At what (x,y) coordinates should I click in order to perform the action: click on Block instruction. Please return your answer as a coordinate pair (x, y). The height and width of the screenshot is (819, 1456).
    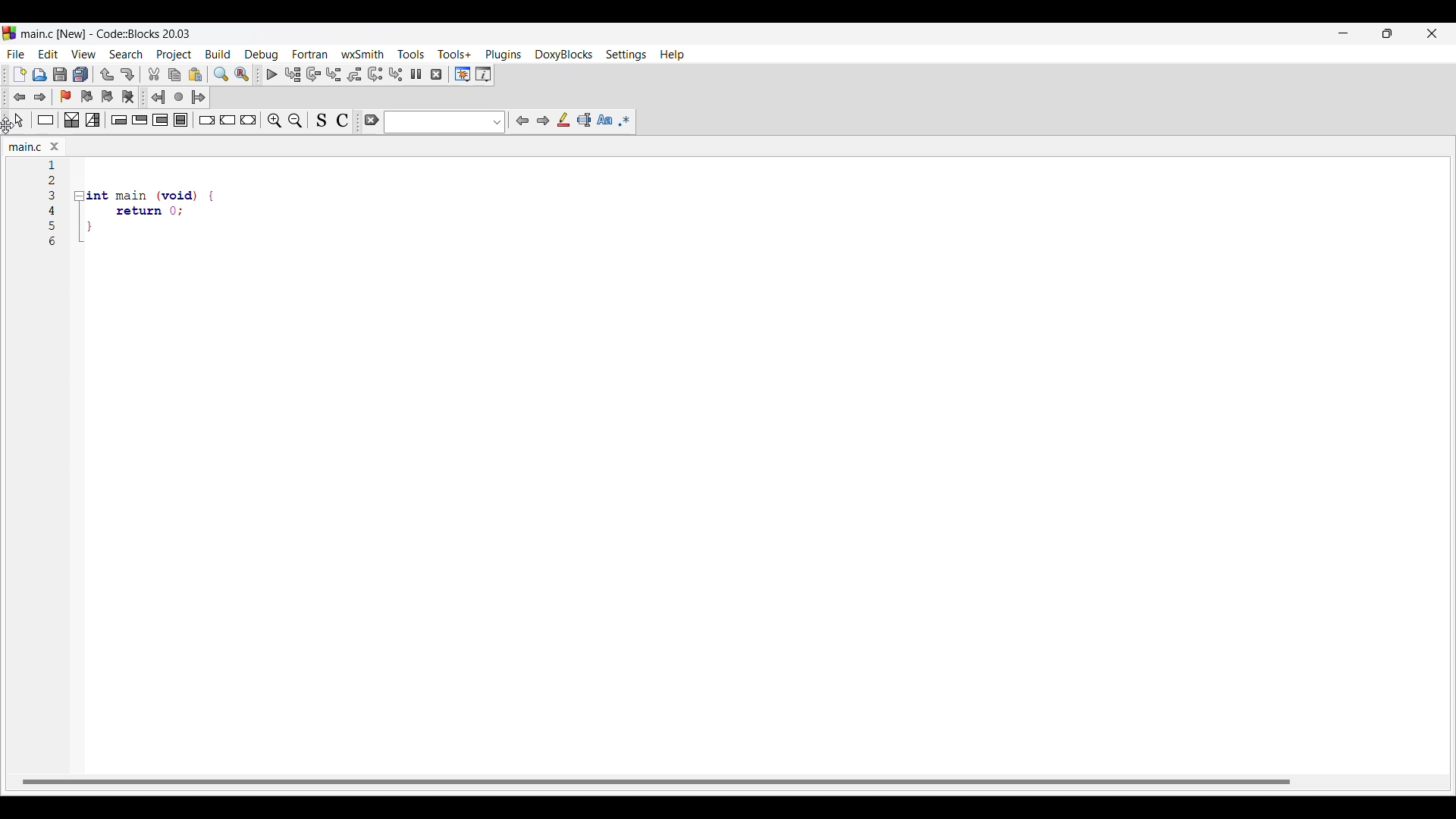
    Looking at the image, I should click on (180, 120).